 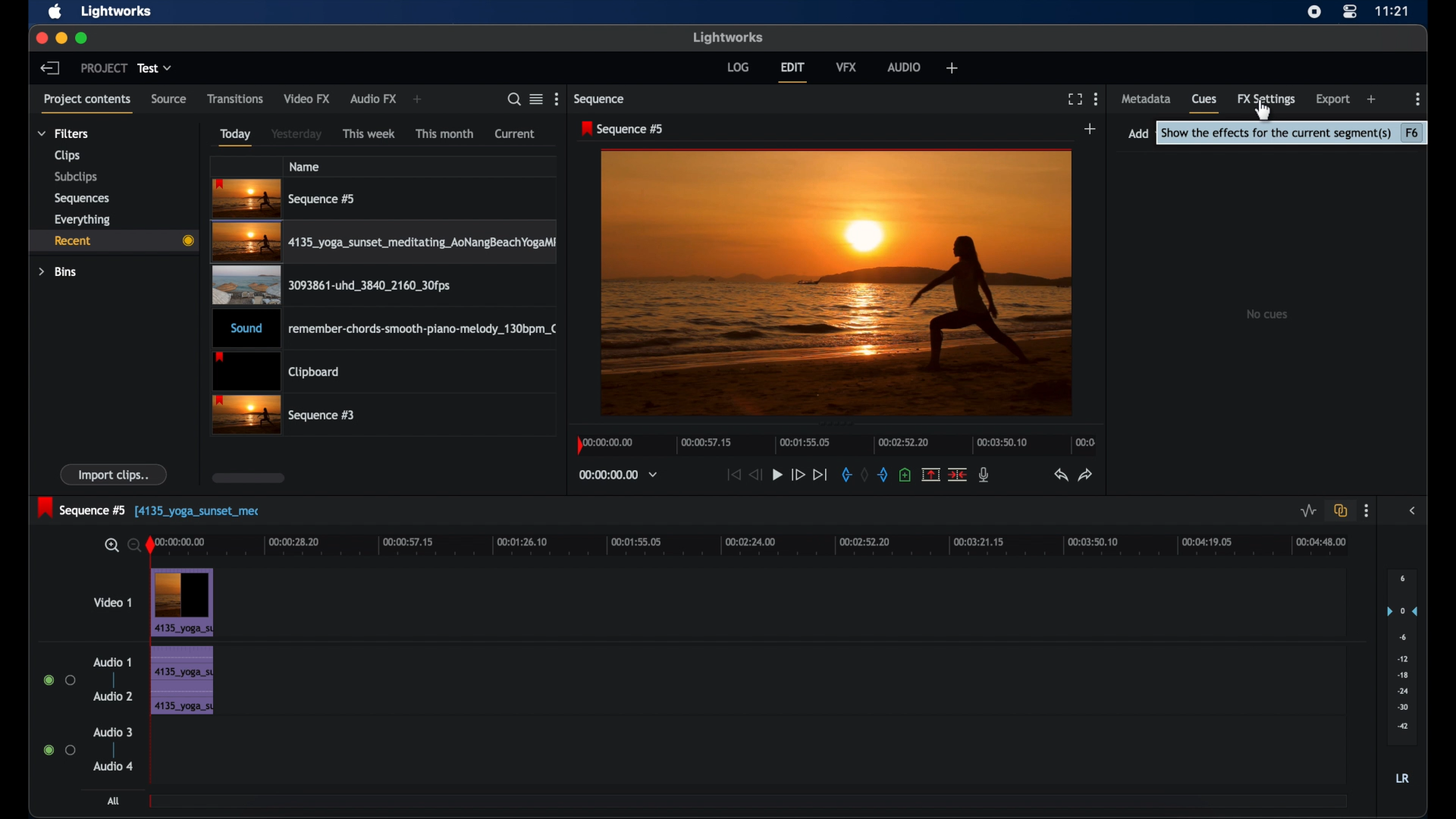 I want to click on fast forward, so click(x=797, y=474).